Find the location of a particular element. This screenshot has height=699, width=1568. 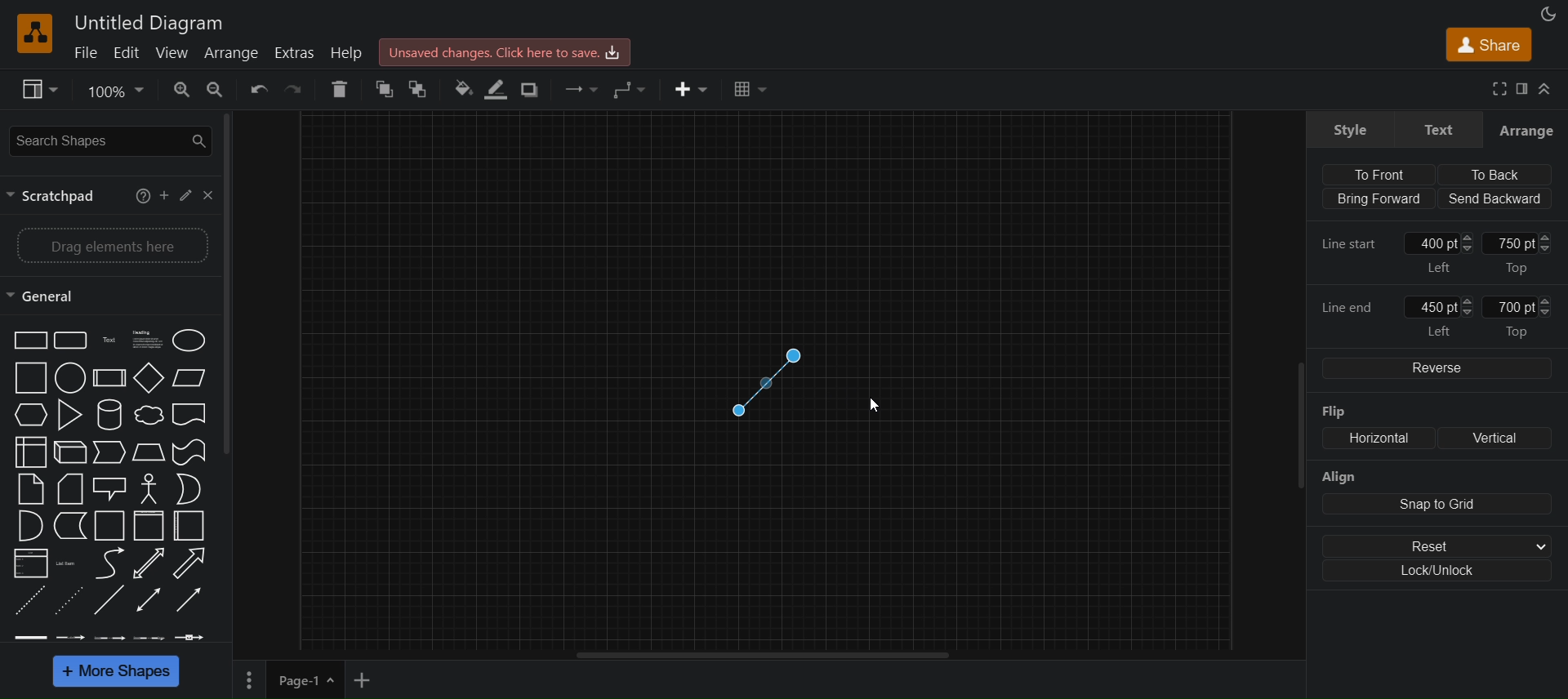

file is located at coordinates (86, 52).